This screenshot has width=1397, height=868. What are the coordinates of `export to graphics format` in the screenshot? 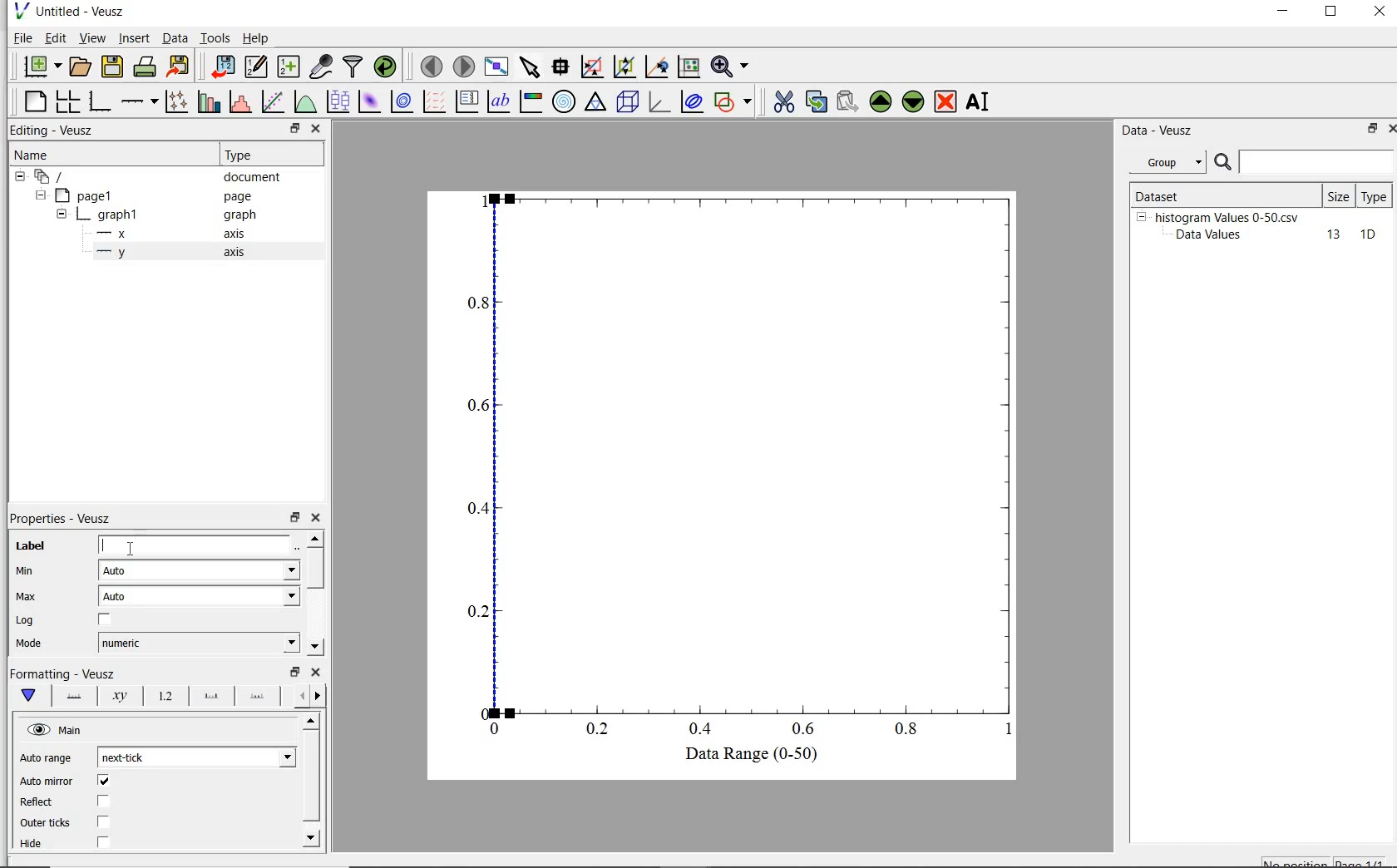 It's located at (180, 65).